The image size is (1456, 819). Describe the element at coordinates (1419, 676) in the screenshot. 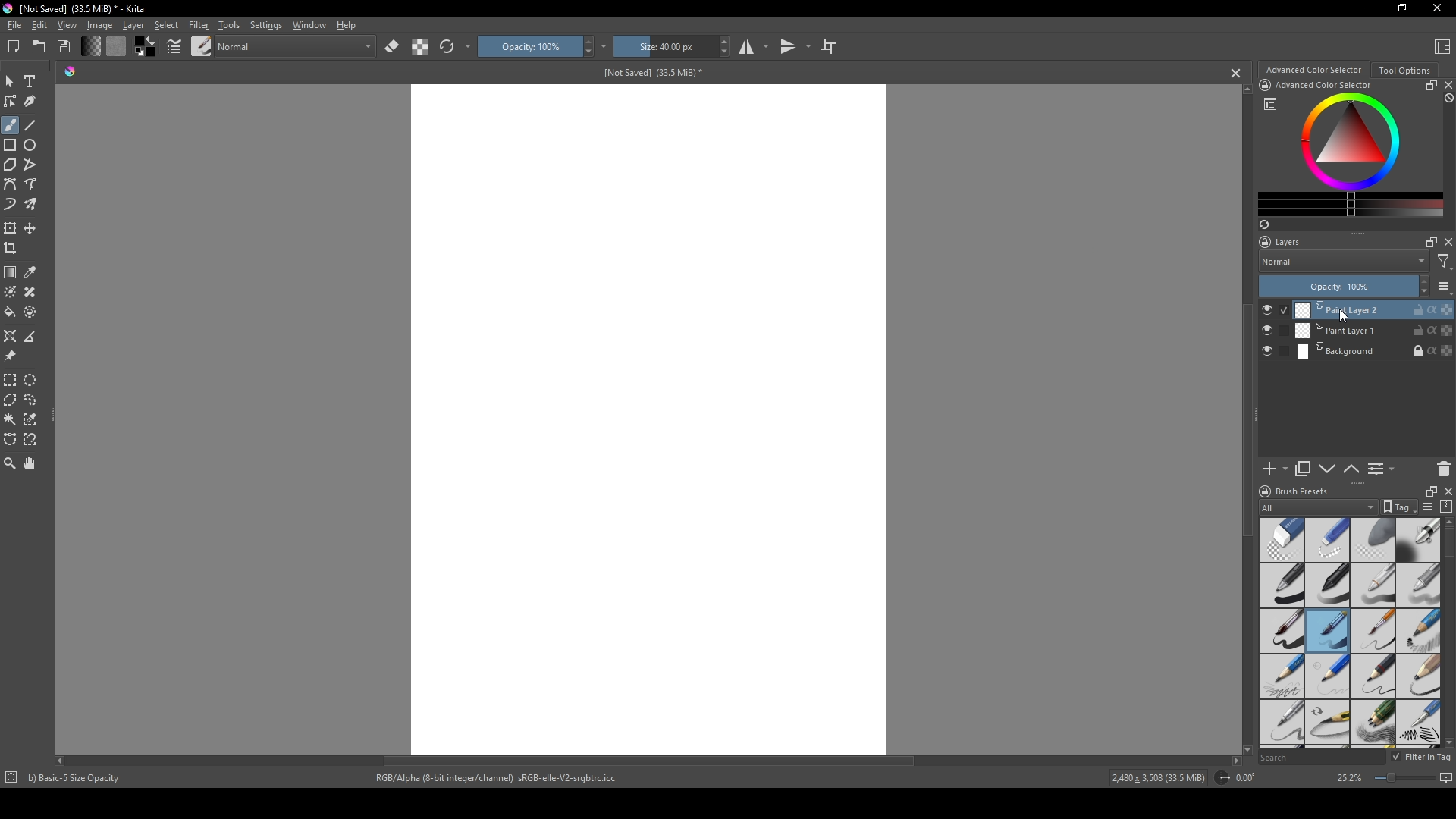

I see `pencil` at that location.